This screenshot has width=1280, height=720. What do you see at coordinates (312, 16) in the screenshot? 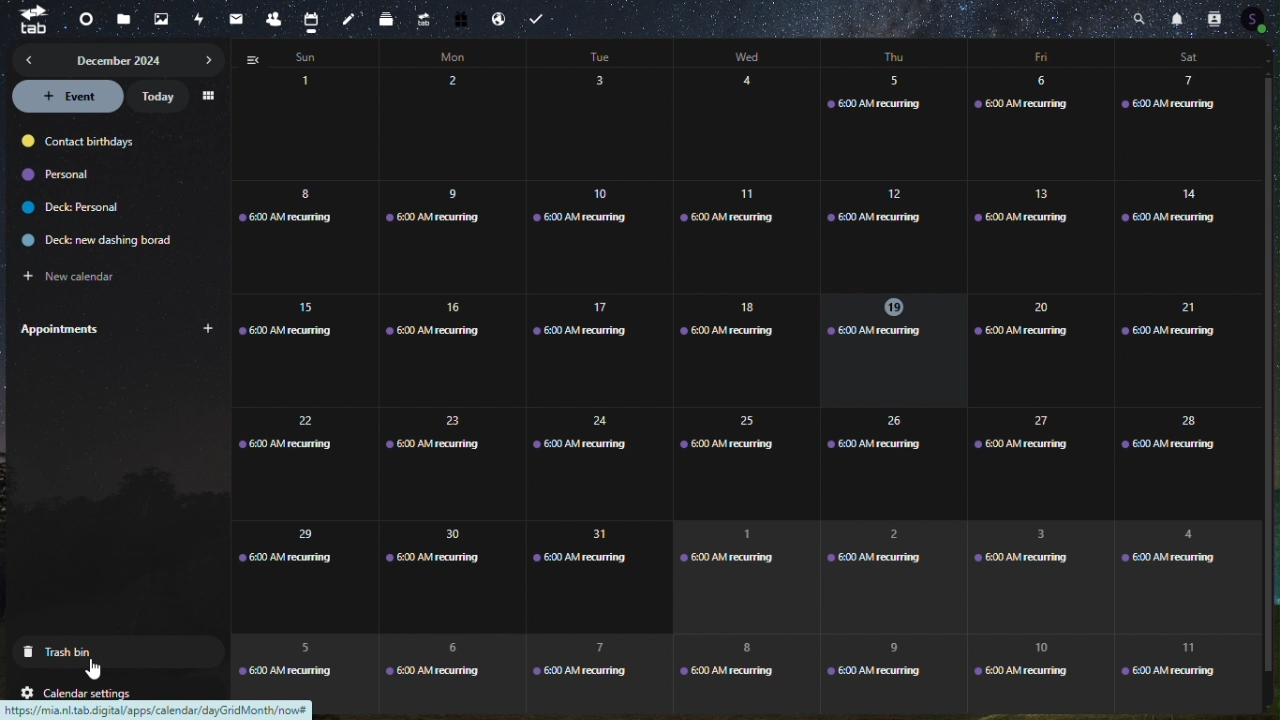
I see `calendar` at bounding box center [312, 16].